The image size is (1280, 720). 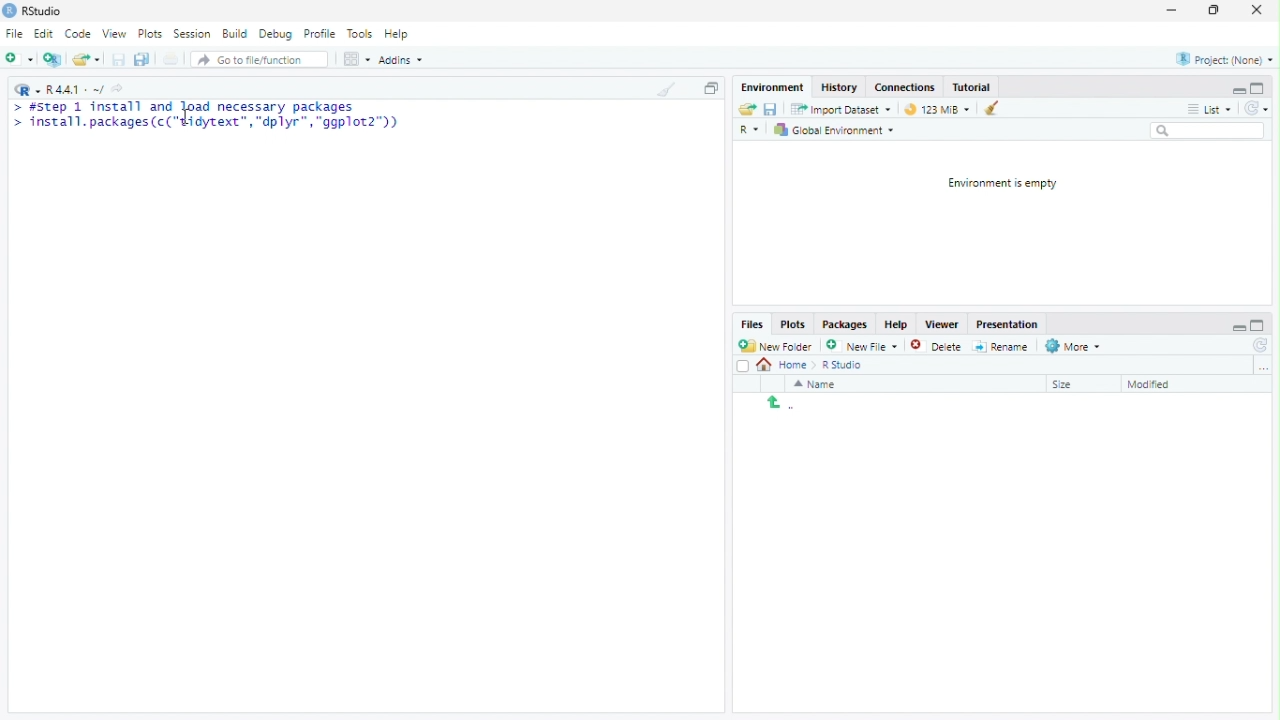 I want to click on Minimize, so click(x=1170, y=10).